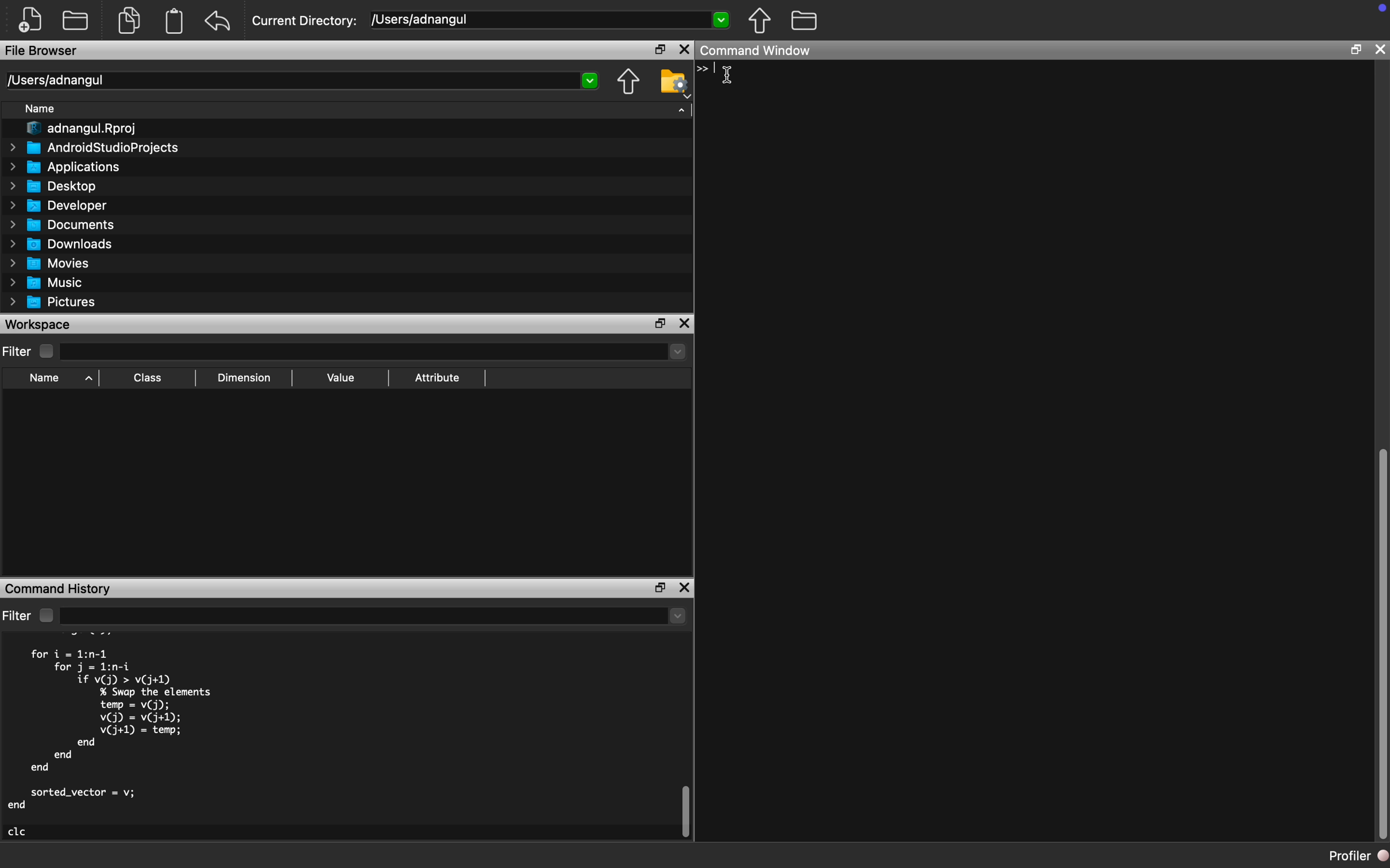 This screenshot has height=868, width=1390. Describe the element at coordinates (61, 245) in the screenshot. I see `Downloads` at that location.